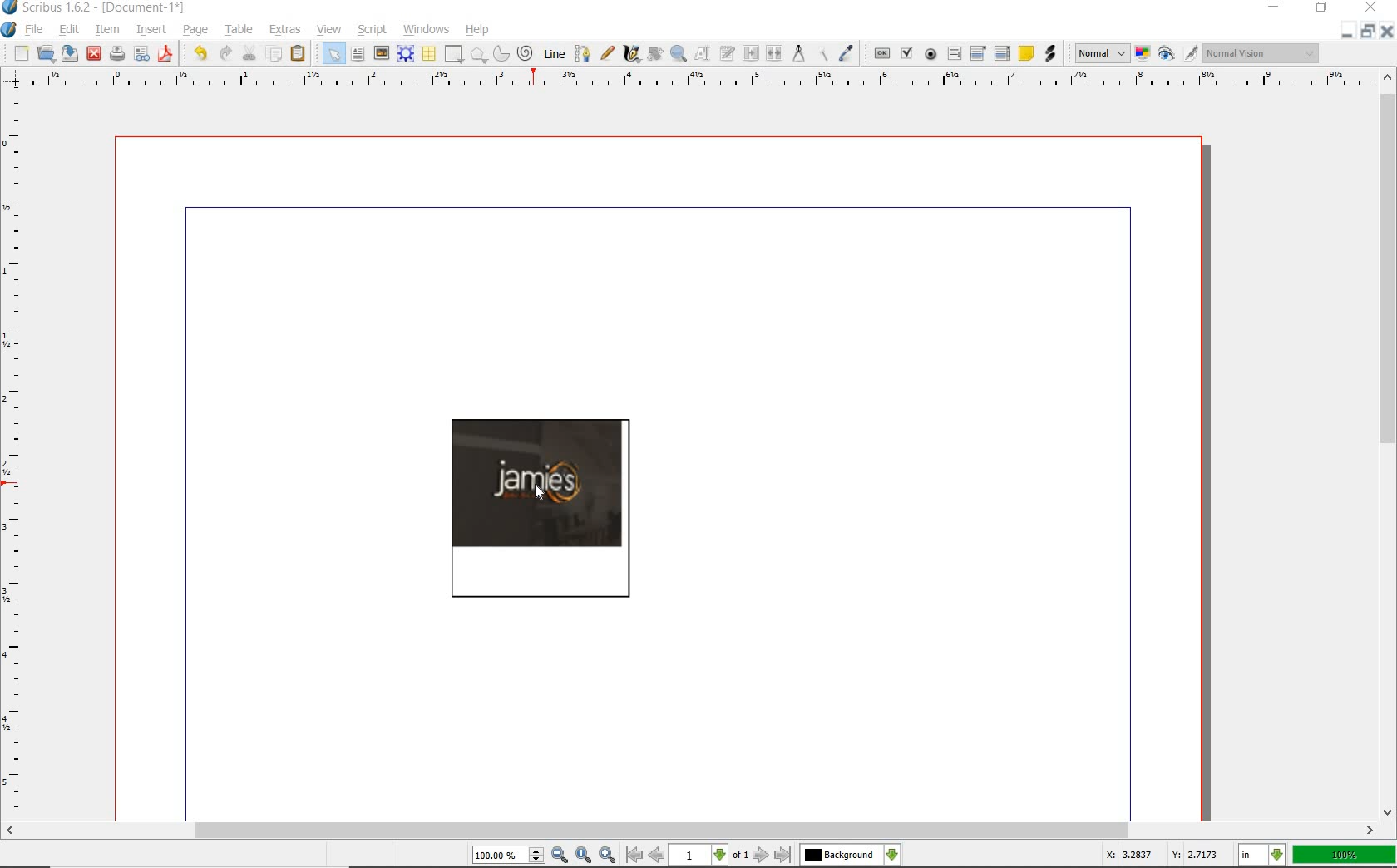  Describe the element at coordinates (1027, 54) in the screenshot. I see `text annotation` at that location.